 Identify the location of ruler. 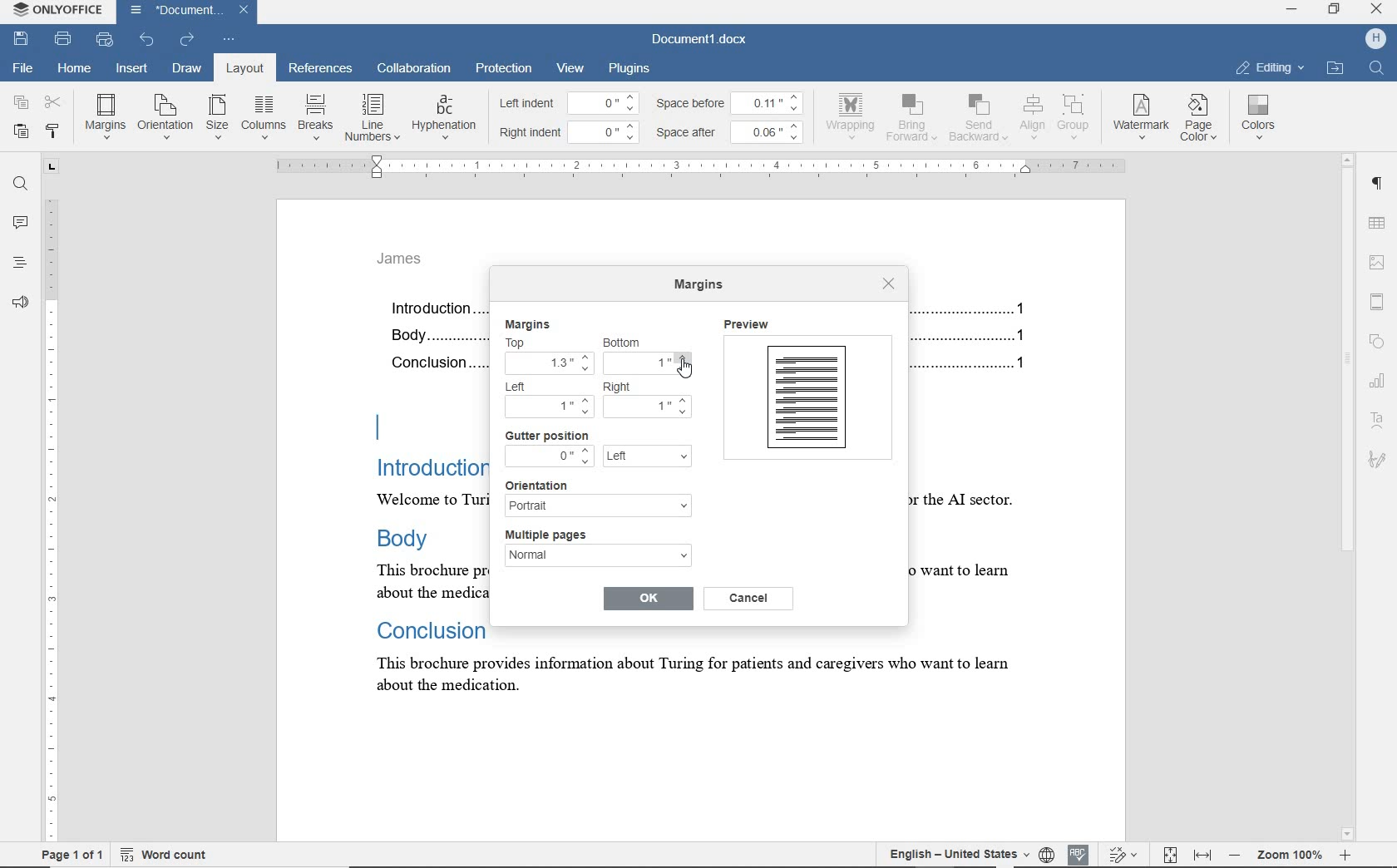
(51, 499).